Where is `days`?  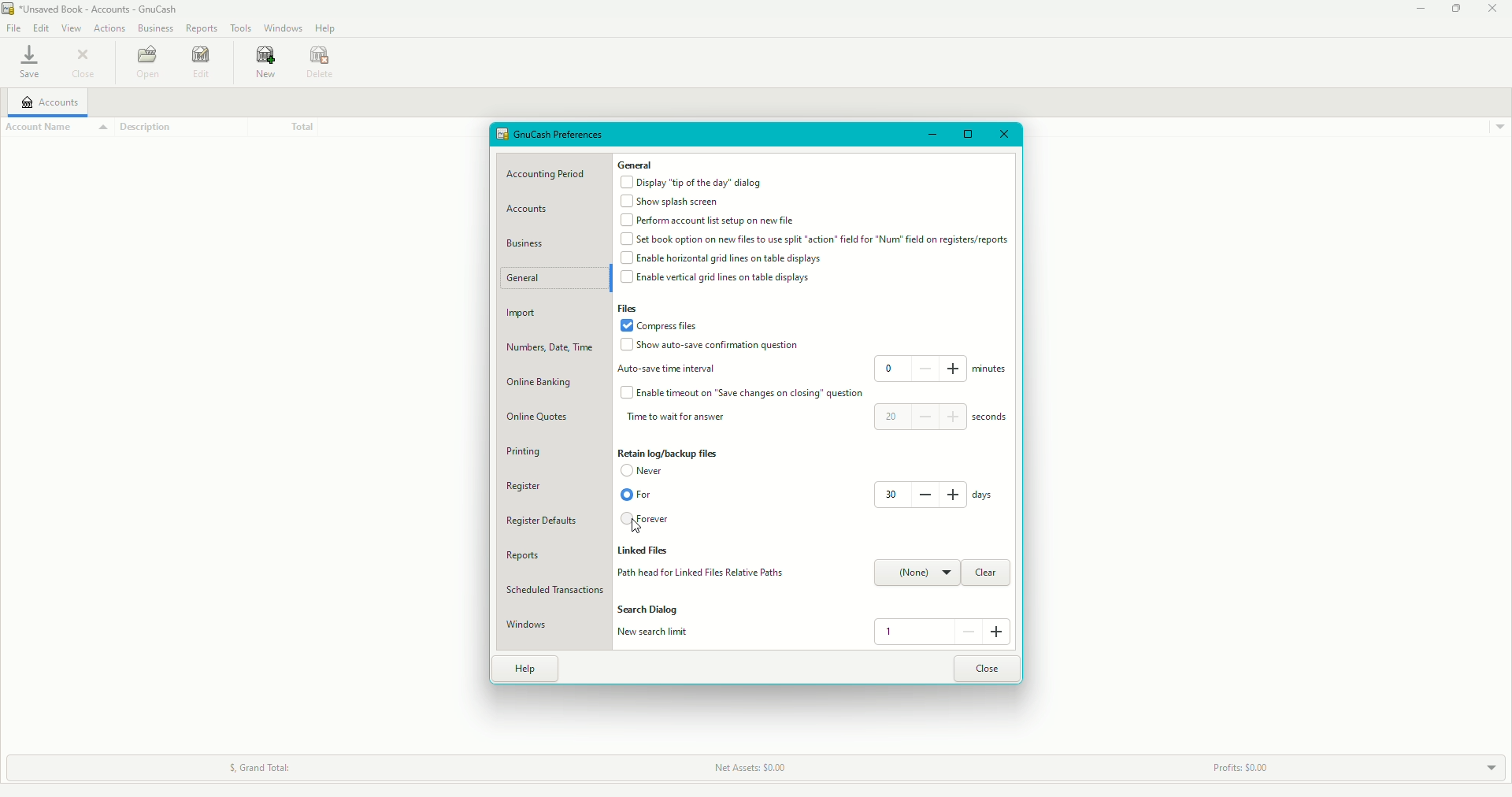 days is located at coordinates (983, 495).